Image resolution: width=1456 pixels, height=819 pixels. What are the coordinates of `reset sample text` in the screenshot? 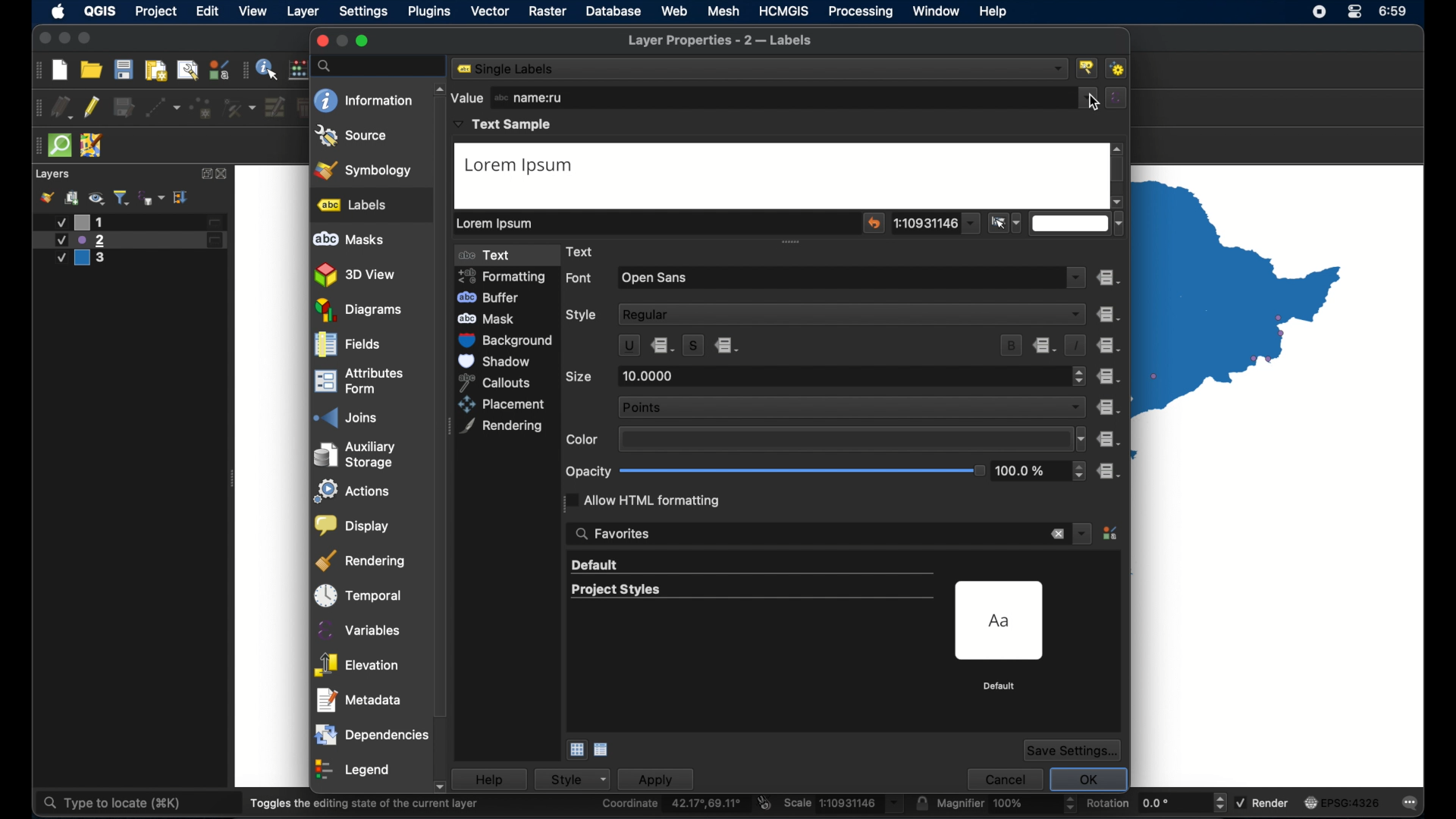 It's located at (874, 223).